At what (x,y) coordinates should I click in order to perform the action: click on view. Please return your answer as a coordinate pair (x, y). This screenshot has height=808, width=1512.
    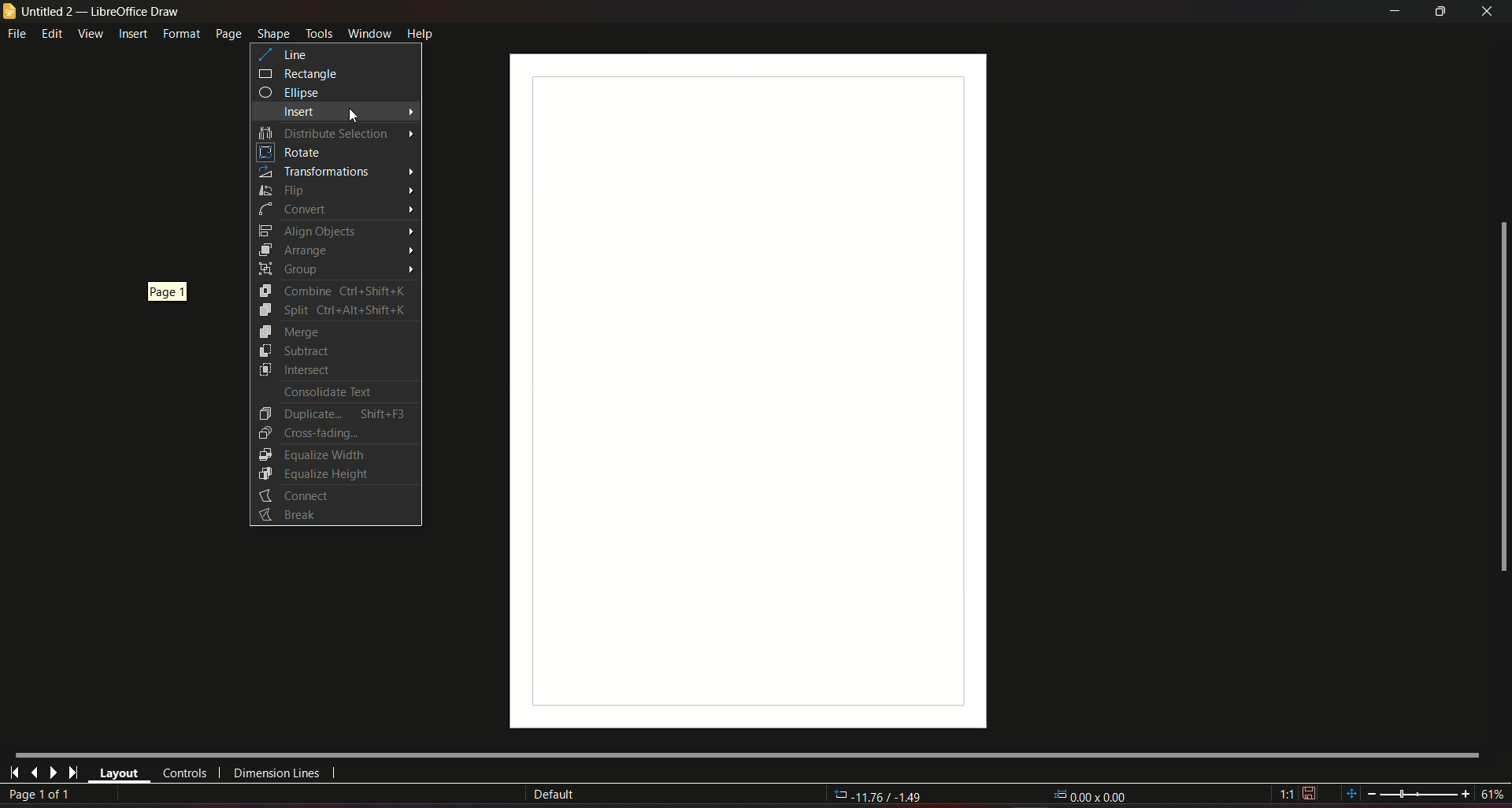
    Looking at the image, I should click on (90, 33).